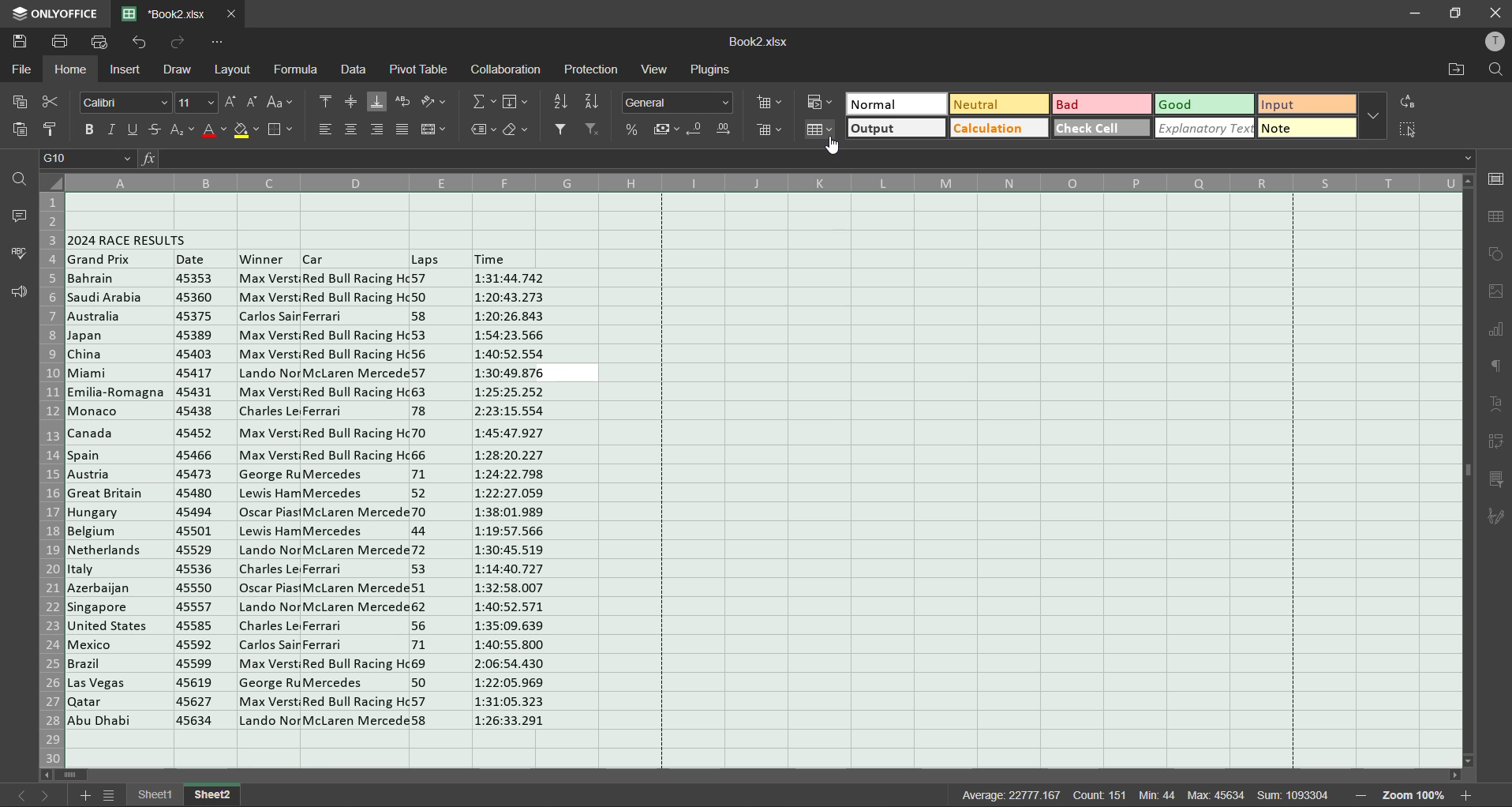 This screenshot has width=1512, height=807. I want to click on count, so click(1102, 794).